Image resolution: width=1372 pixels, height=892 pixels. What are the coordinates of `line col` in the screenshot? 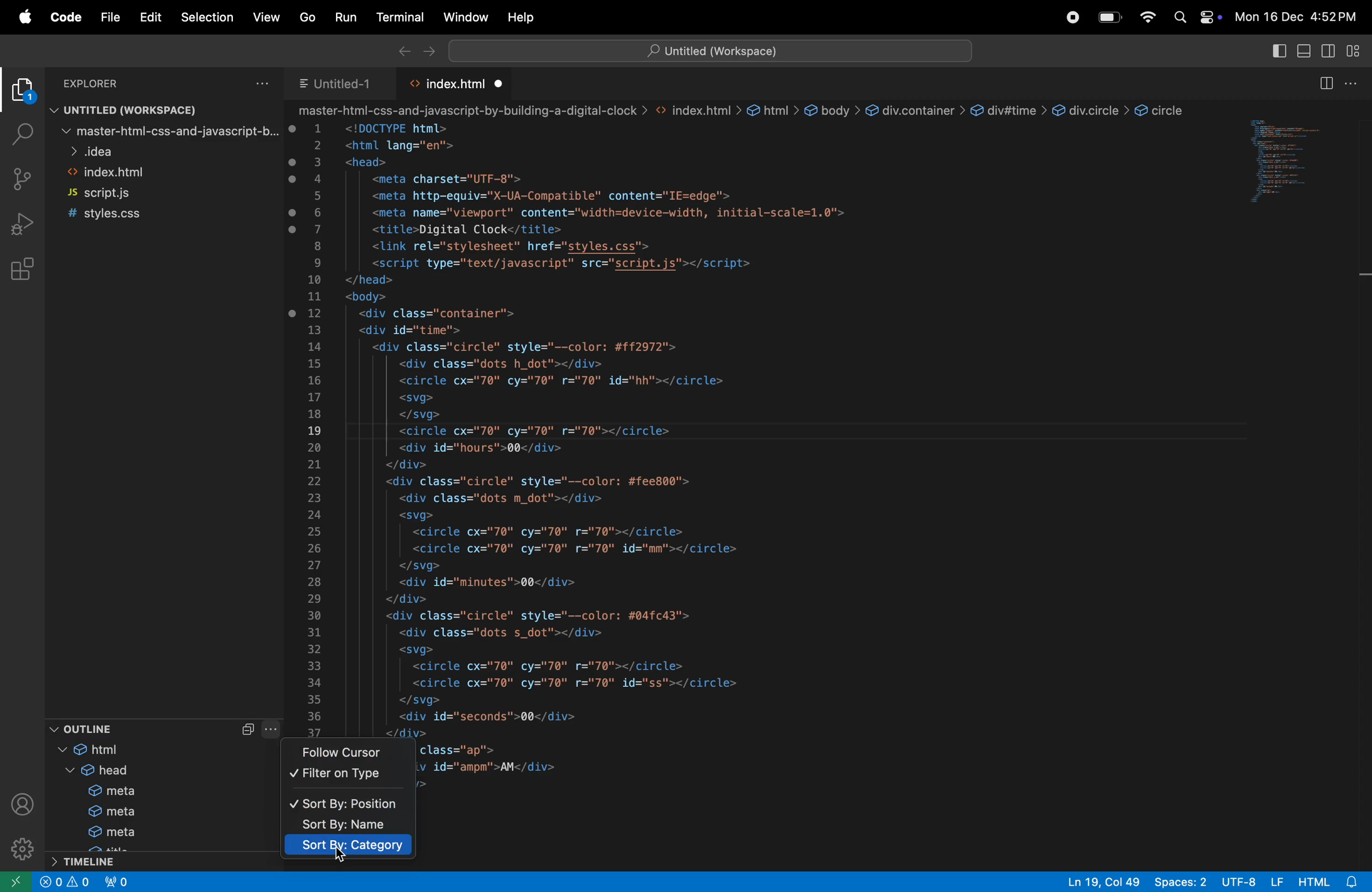 It's located at (1101, 881).